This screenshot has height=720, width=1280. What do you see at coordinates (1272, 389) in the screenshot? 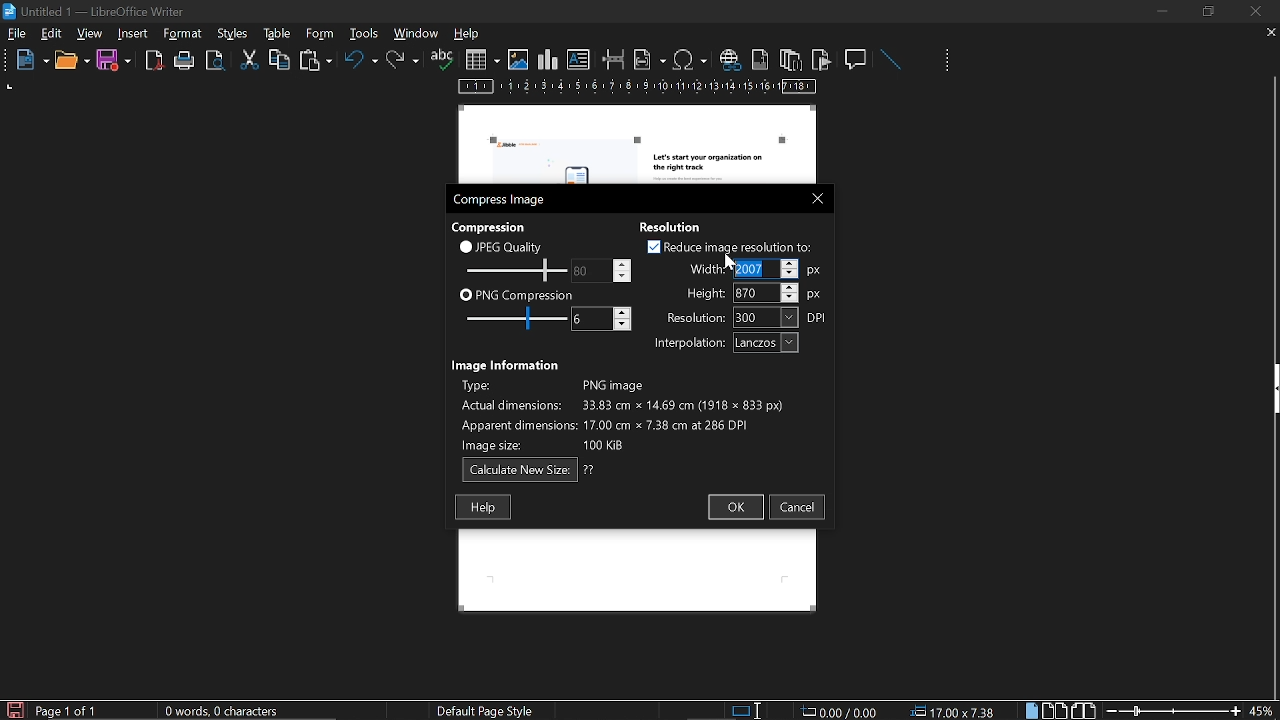
I see `side bar menu` at bounding box center [1272, 389].